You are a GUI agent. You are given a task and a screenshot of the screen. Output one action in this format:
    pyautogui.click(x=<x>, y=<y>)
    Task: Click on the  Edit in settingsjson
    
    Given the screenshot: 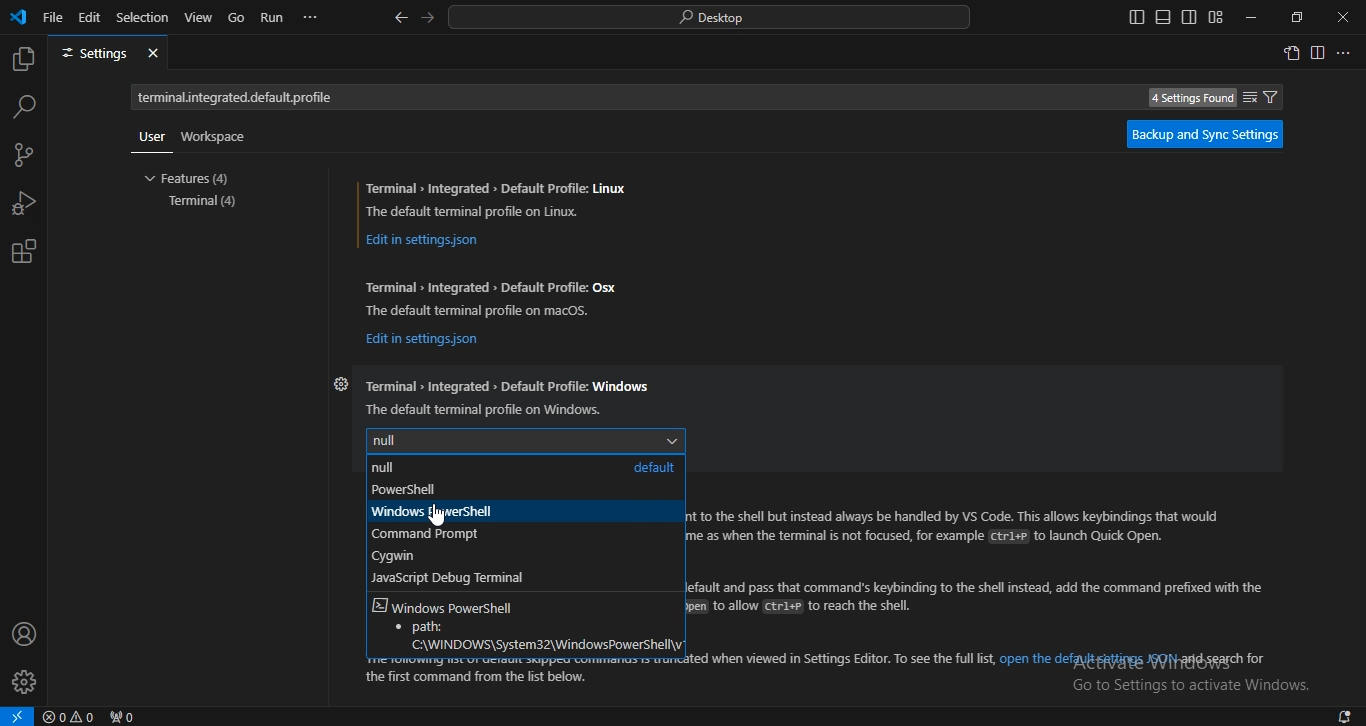 What is the action you would take?
    pyautogui.click(x=429, y=241)
    